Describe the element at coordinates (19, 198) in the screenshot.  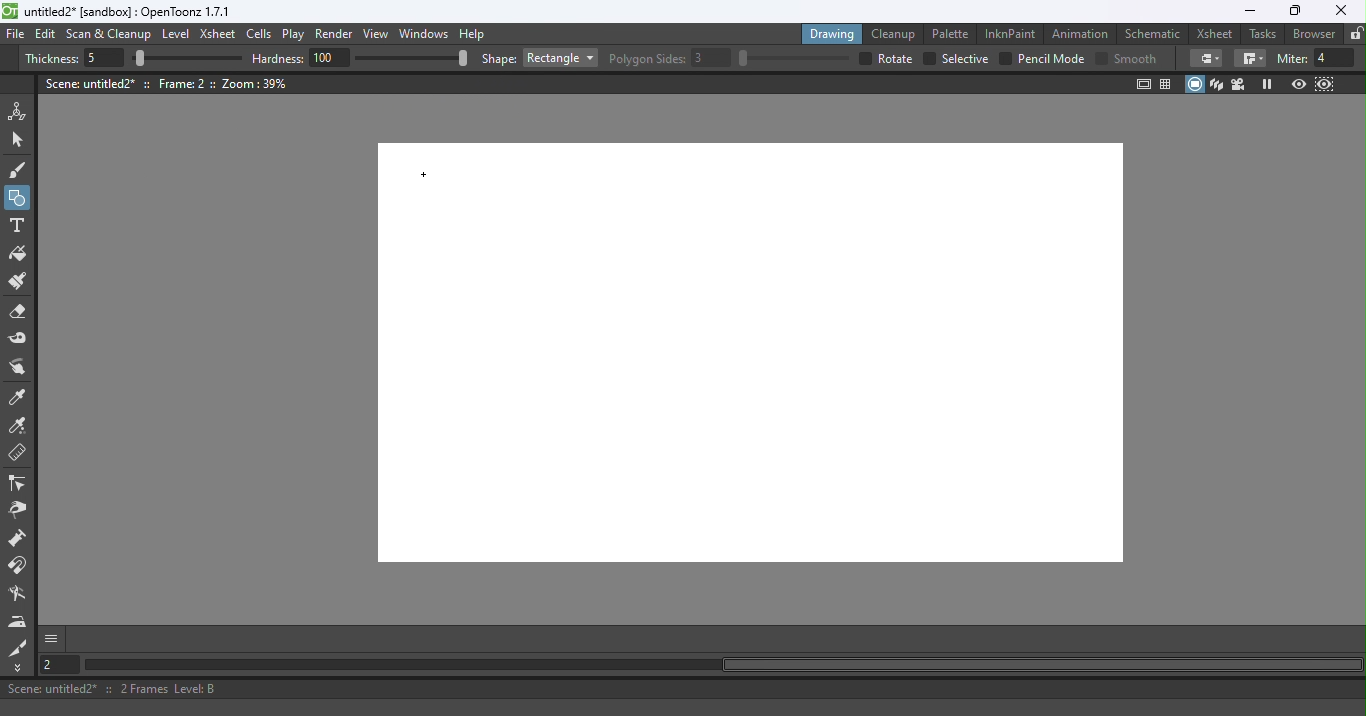
I see `Geometric tool` at that location.